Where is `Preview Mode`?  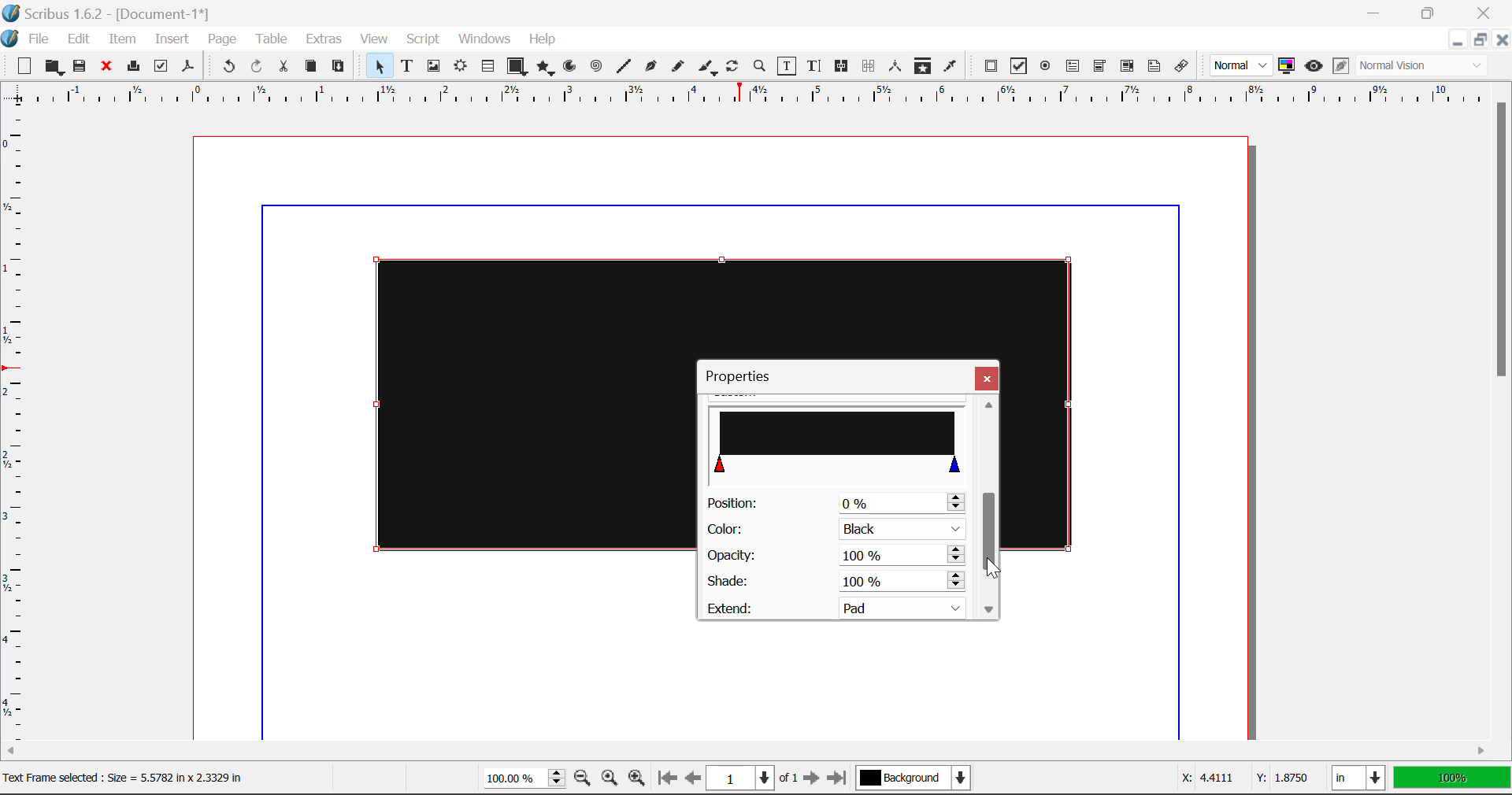
Preview Mode is located at coordinates (1314, 66).